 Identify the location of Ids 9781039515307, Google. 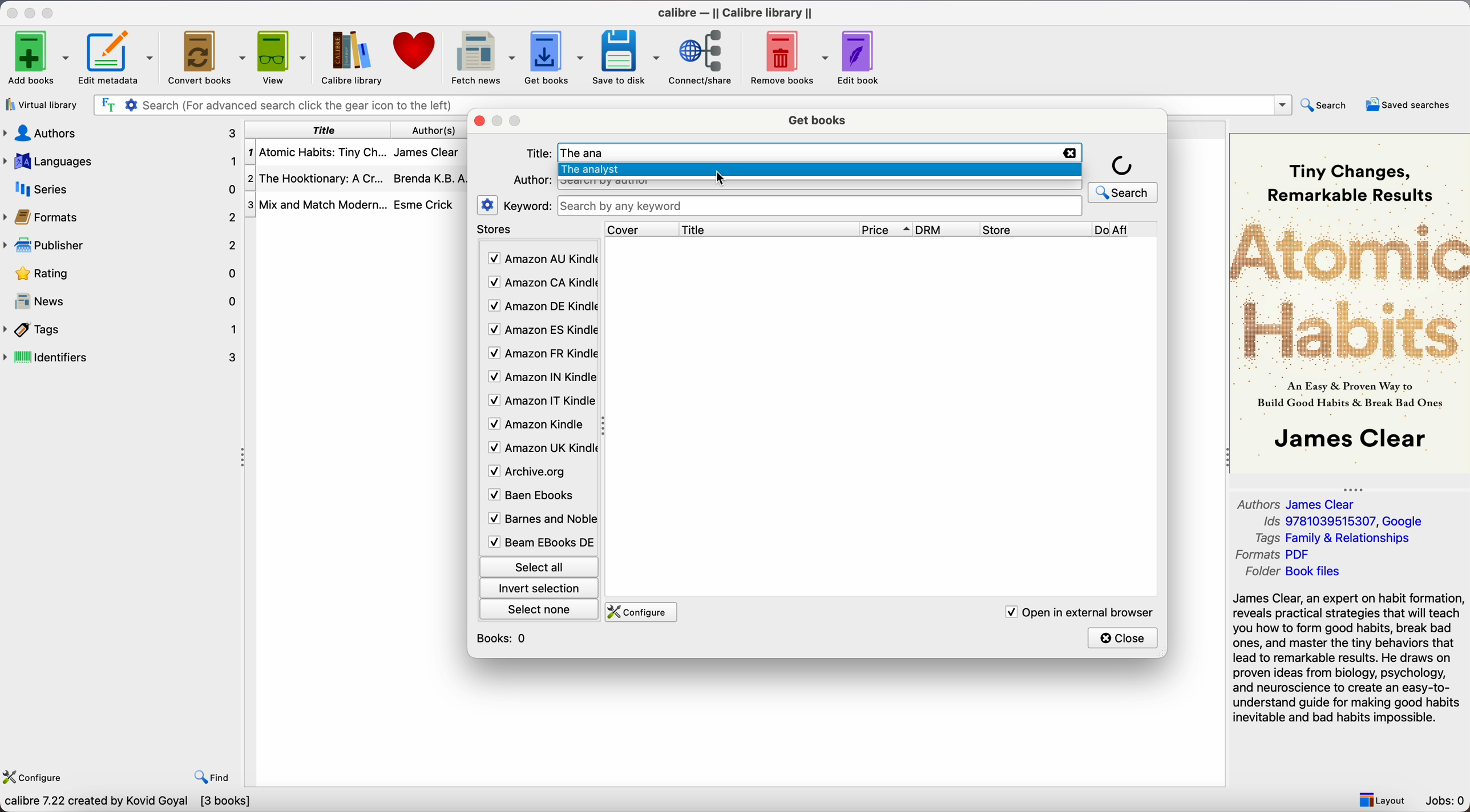
(1344, 522).